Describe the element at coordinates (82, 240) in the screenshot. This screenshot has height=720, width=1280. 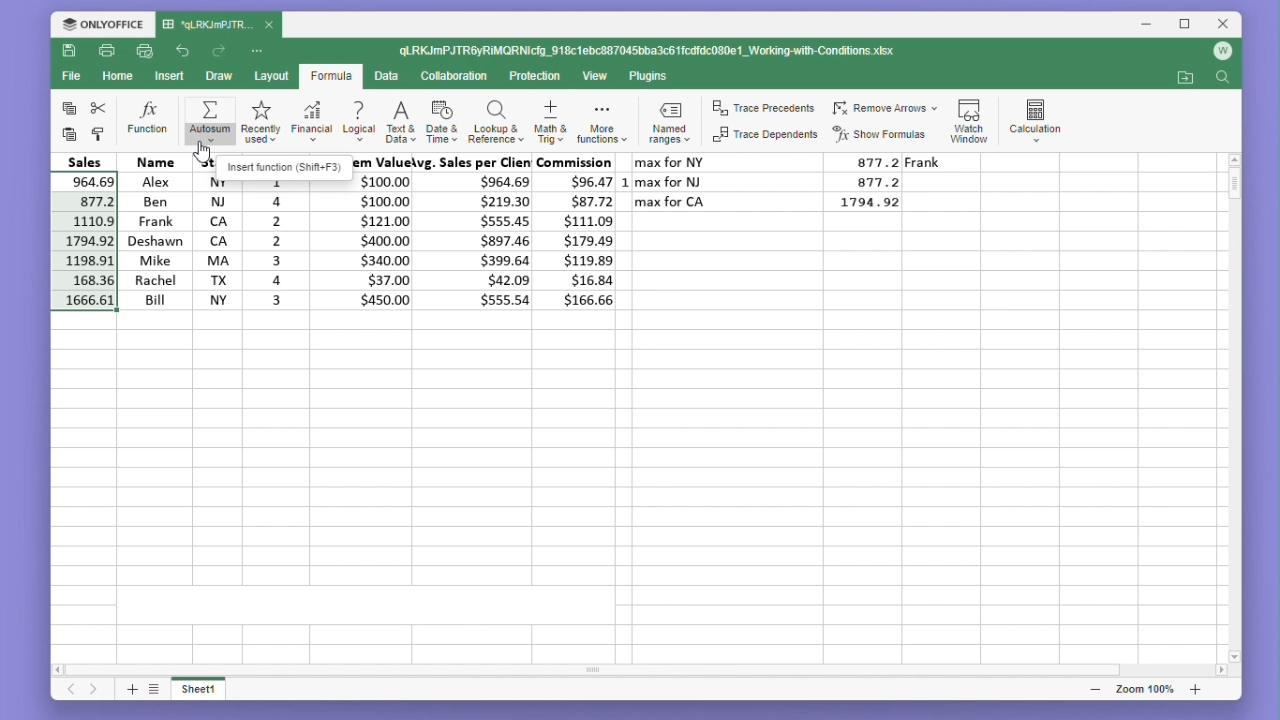
I see `Selected cells` at that location.